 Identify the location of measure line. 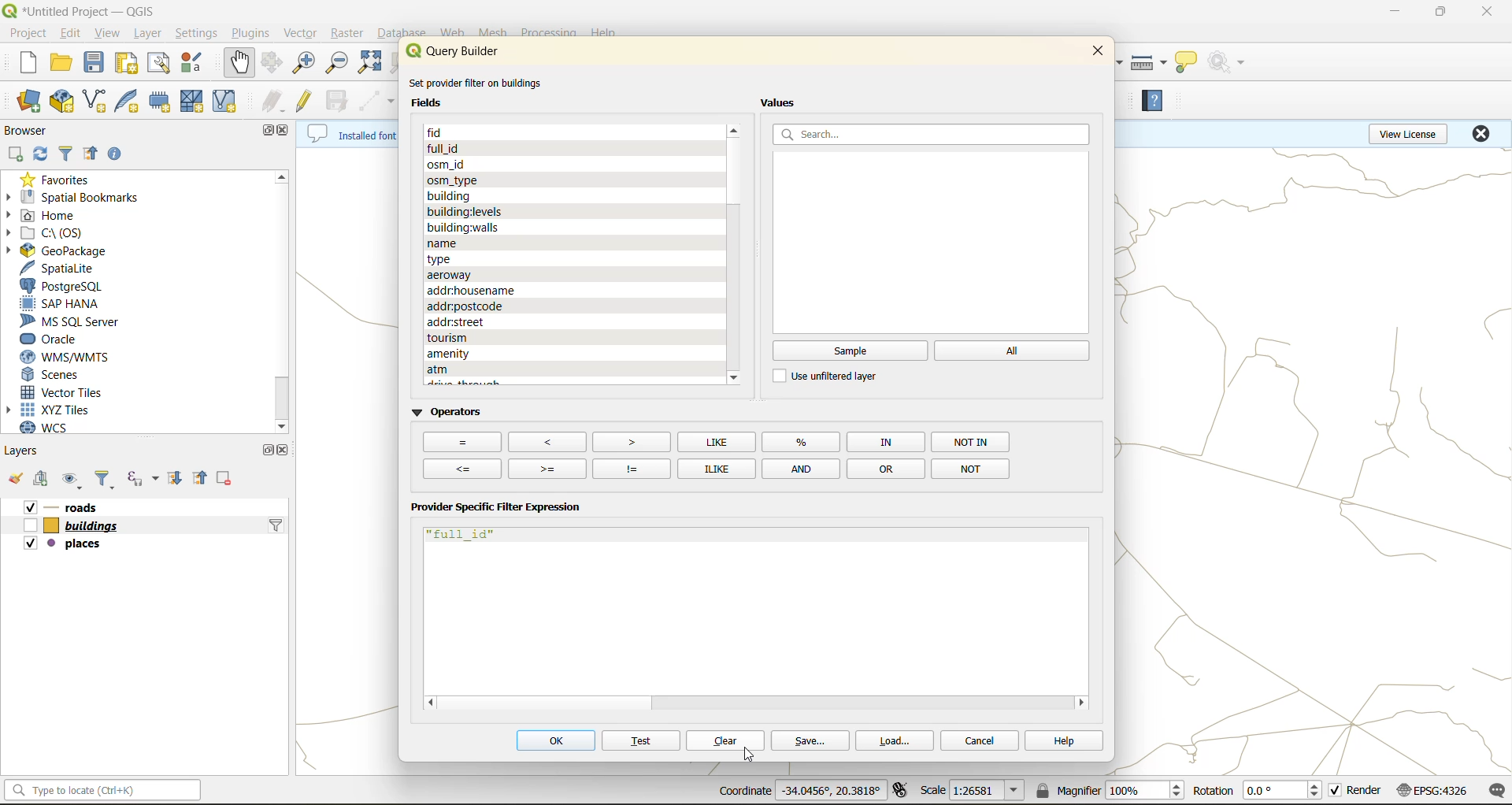
(1149, 61).